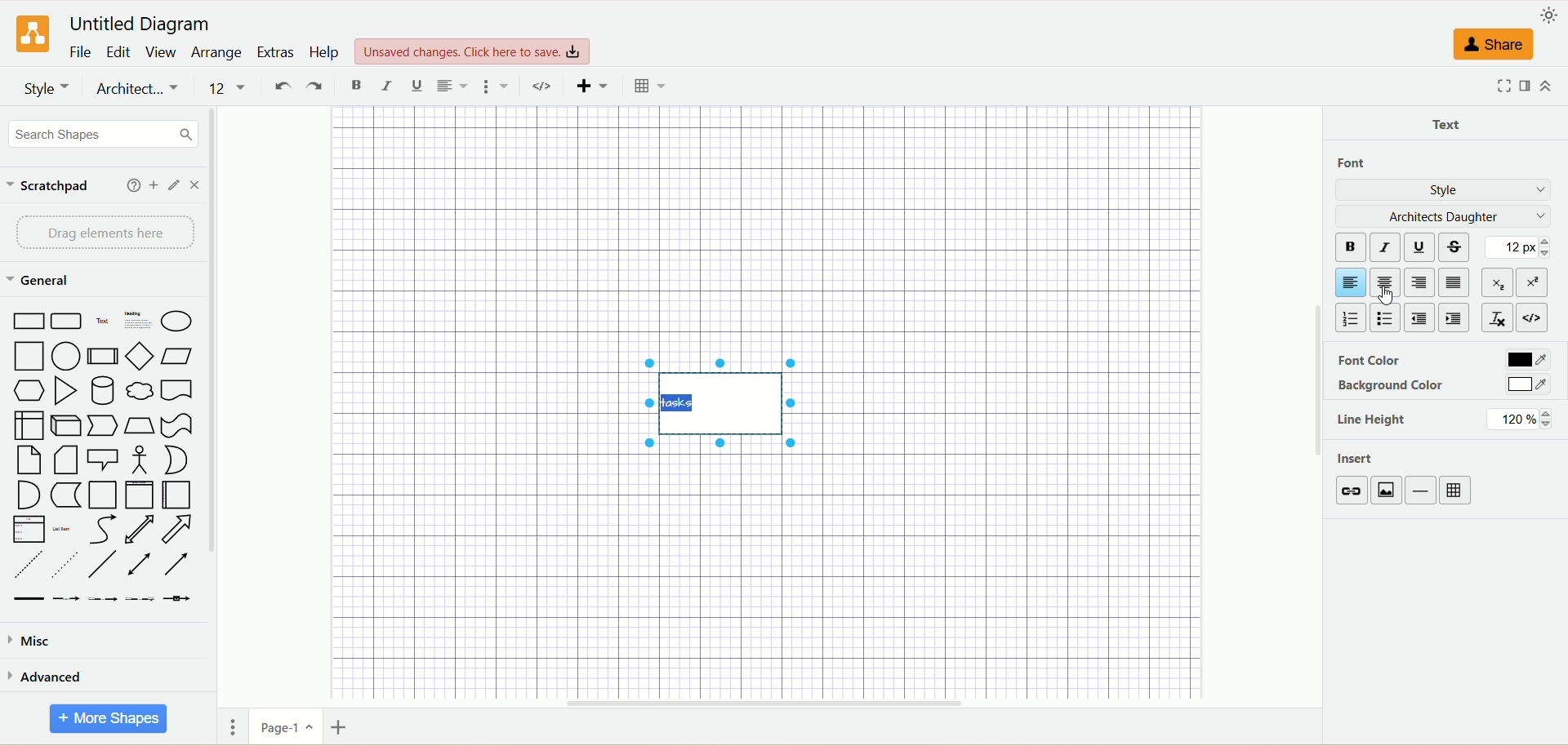  I want to click on help, so click(134, 184).